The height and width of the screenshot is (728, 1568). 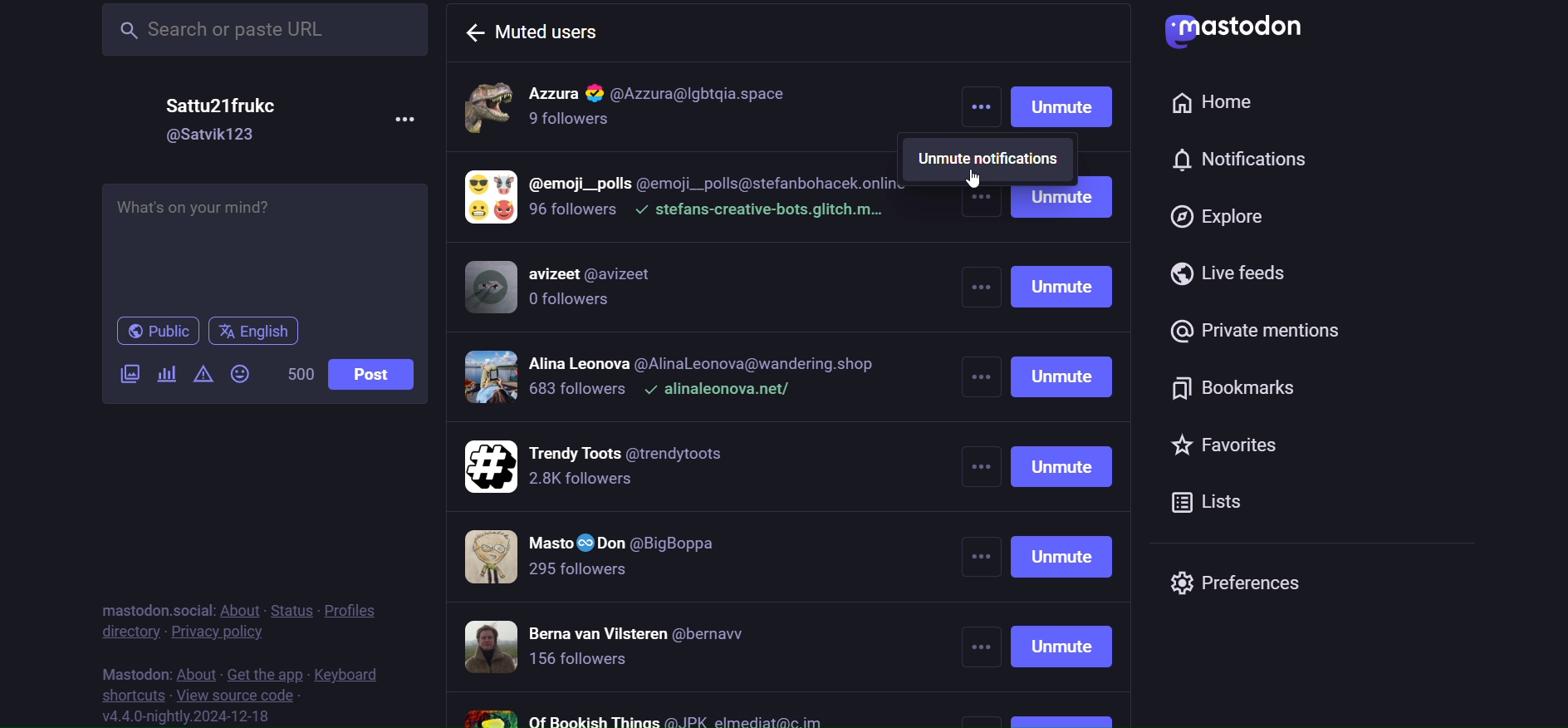 I want to click on more, so click(x=980, y=111).